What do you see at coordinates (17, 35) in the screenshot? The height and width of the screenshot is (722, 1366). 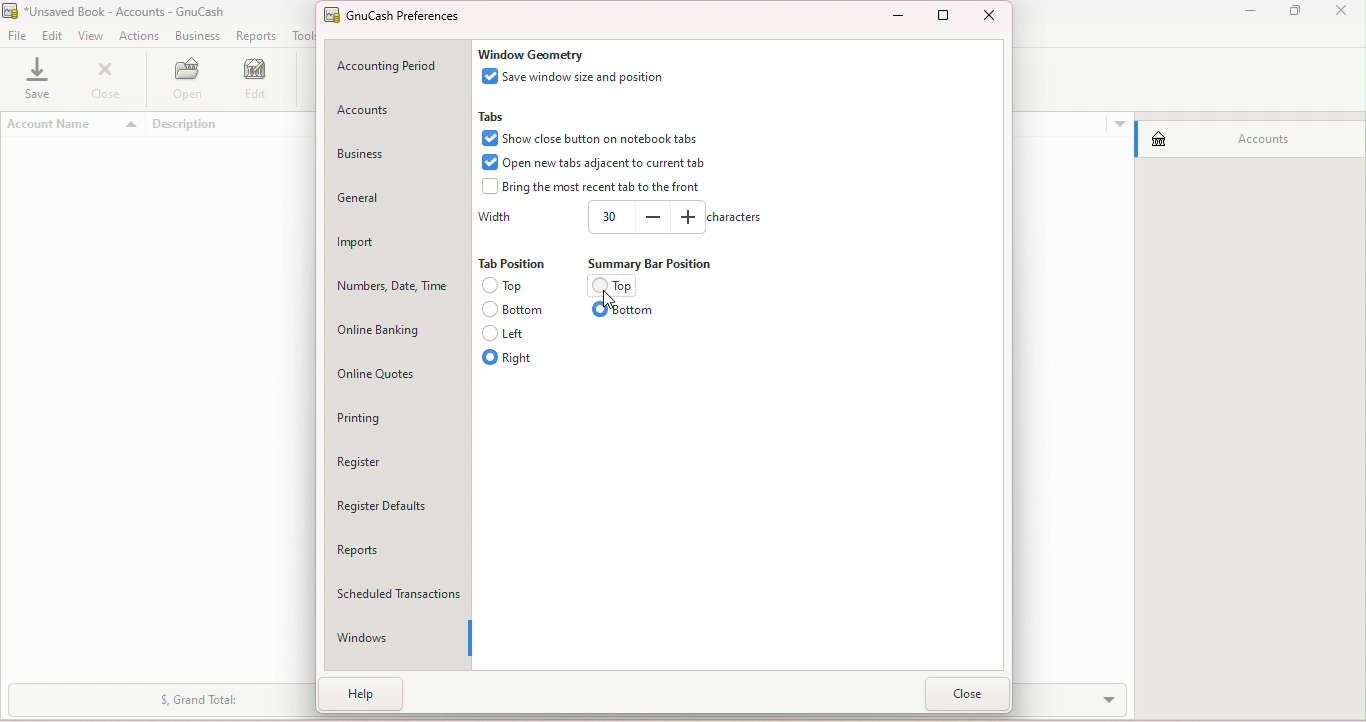 I see `File` at bounding box center [17, 35].